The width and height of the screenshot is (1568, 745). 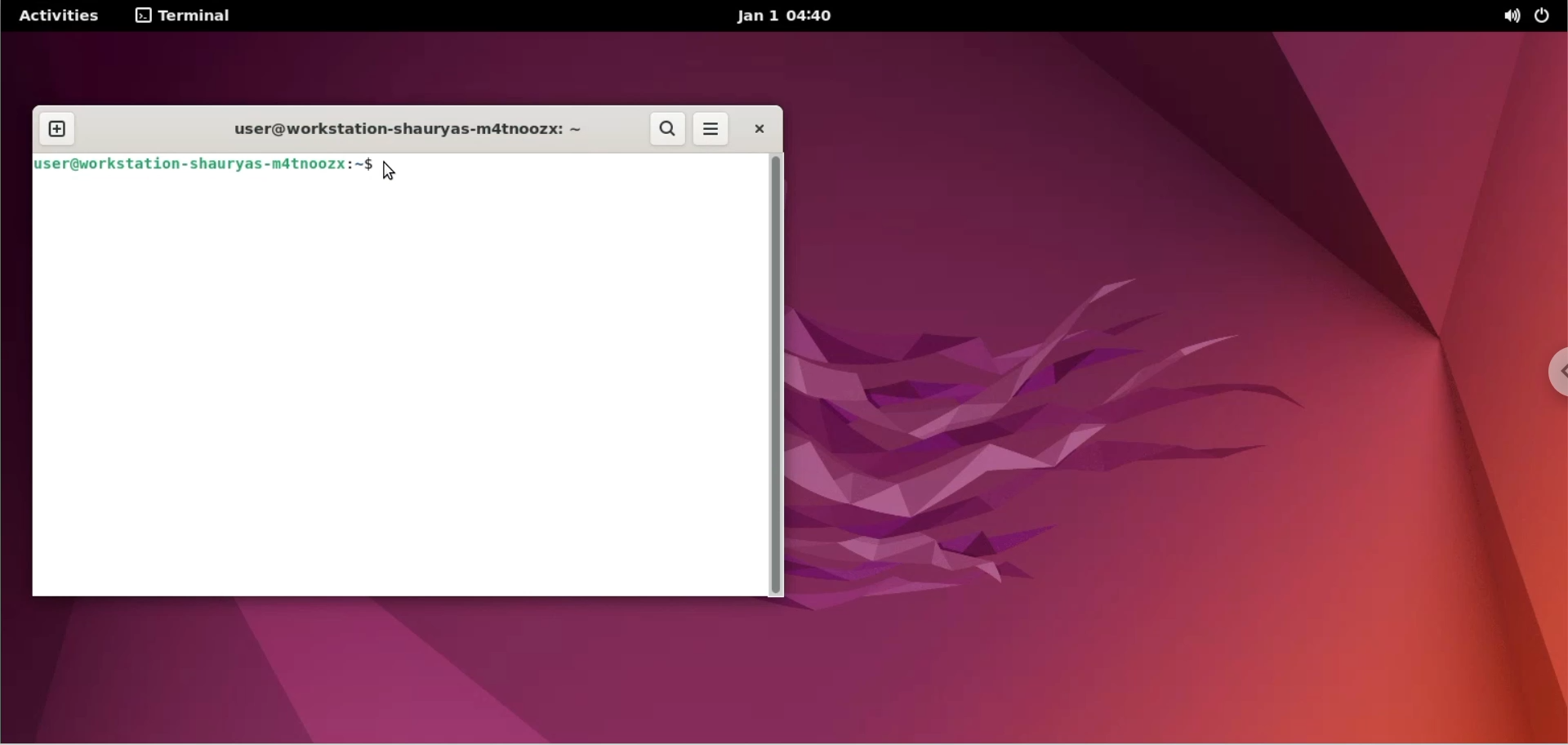 What do you see at coordinates (1510, 17) in the screenshot?
I see `sound options ` at bounding box center [1510, 17].